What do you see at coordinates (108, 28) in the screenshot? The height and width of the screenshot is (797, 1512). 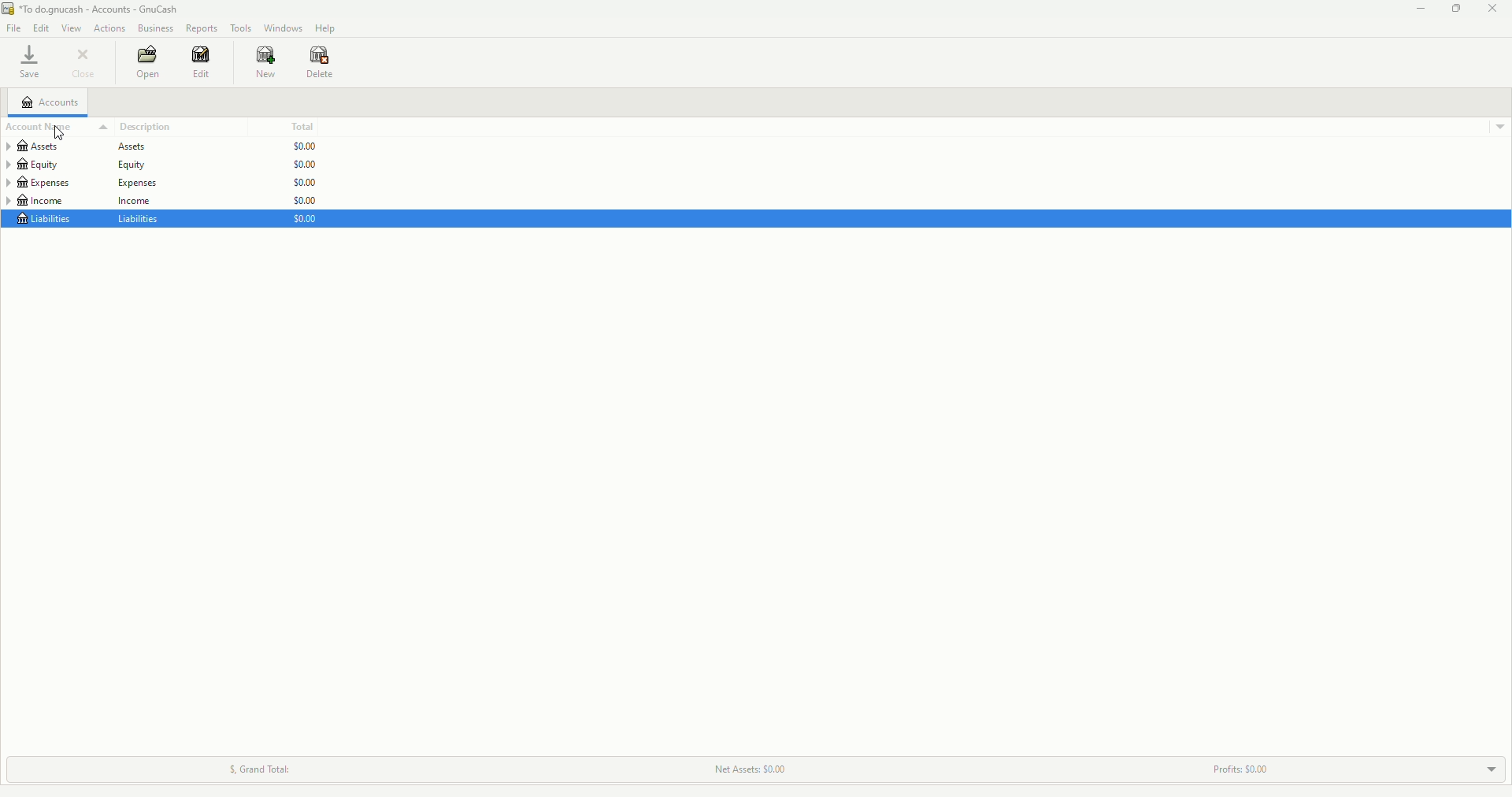 I see `Actions` at bounding box center [108, 28].